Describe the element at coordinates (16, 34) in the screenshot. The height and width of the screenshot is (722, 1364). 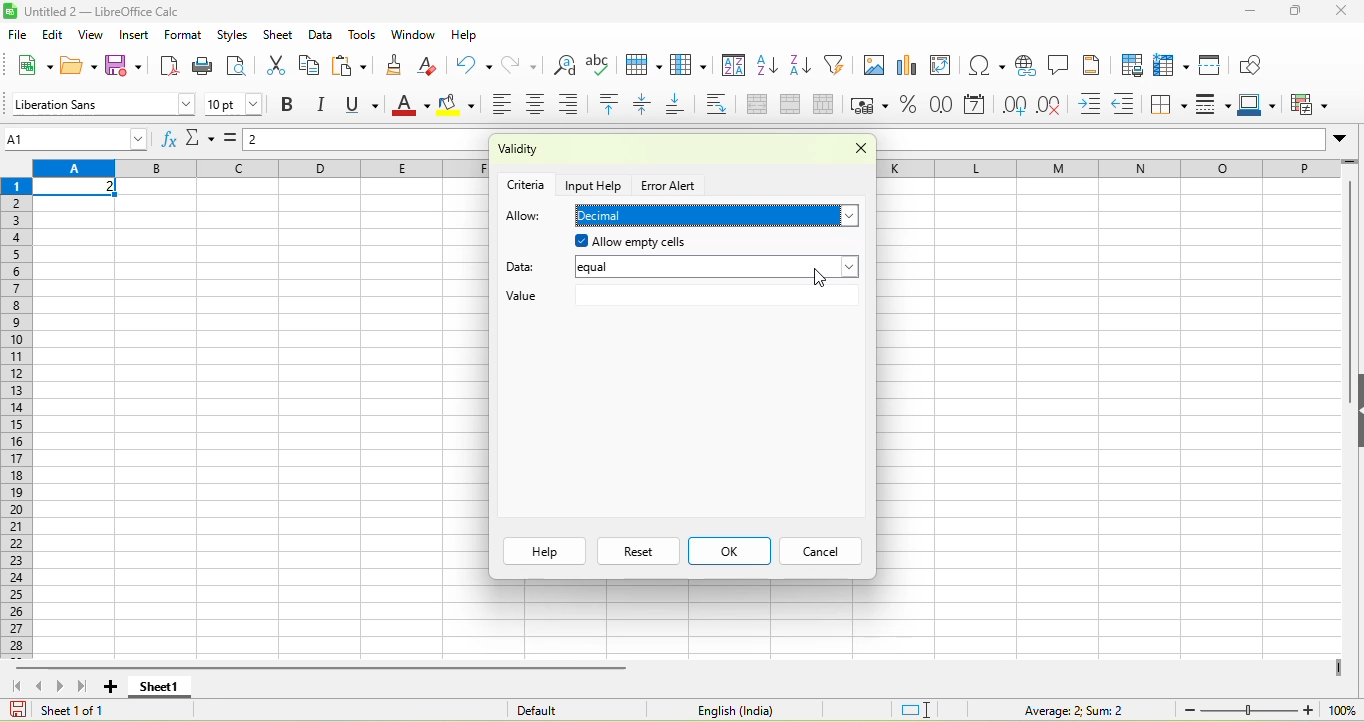
I see `file` at that location.